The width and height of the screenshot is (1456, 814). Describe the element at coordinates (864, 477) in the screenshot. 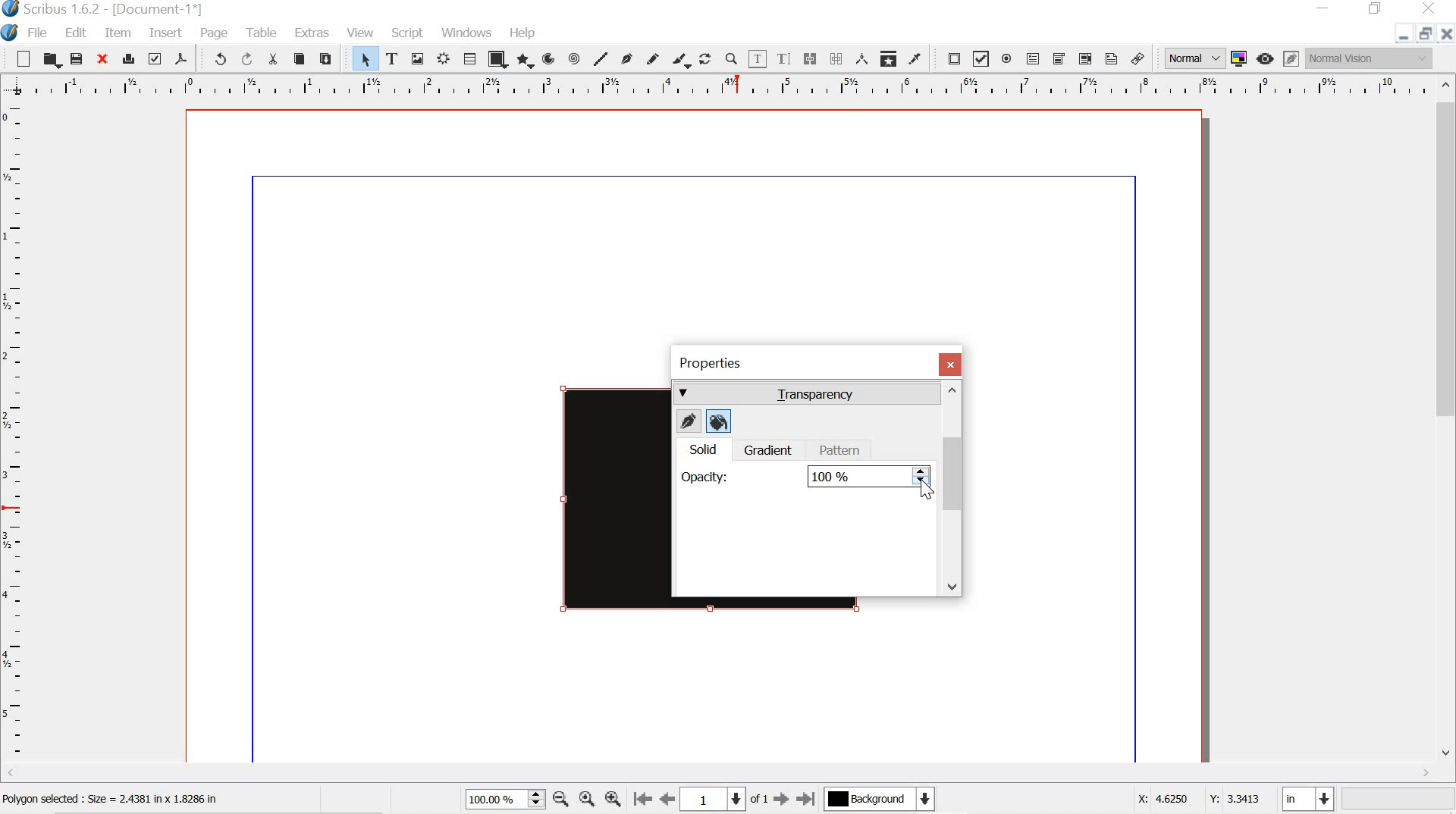

I see `70% opacity` at that location.